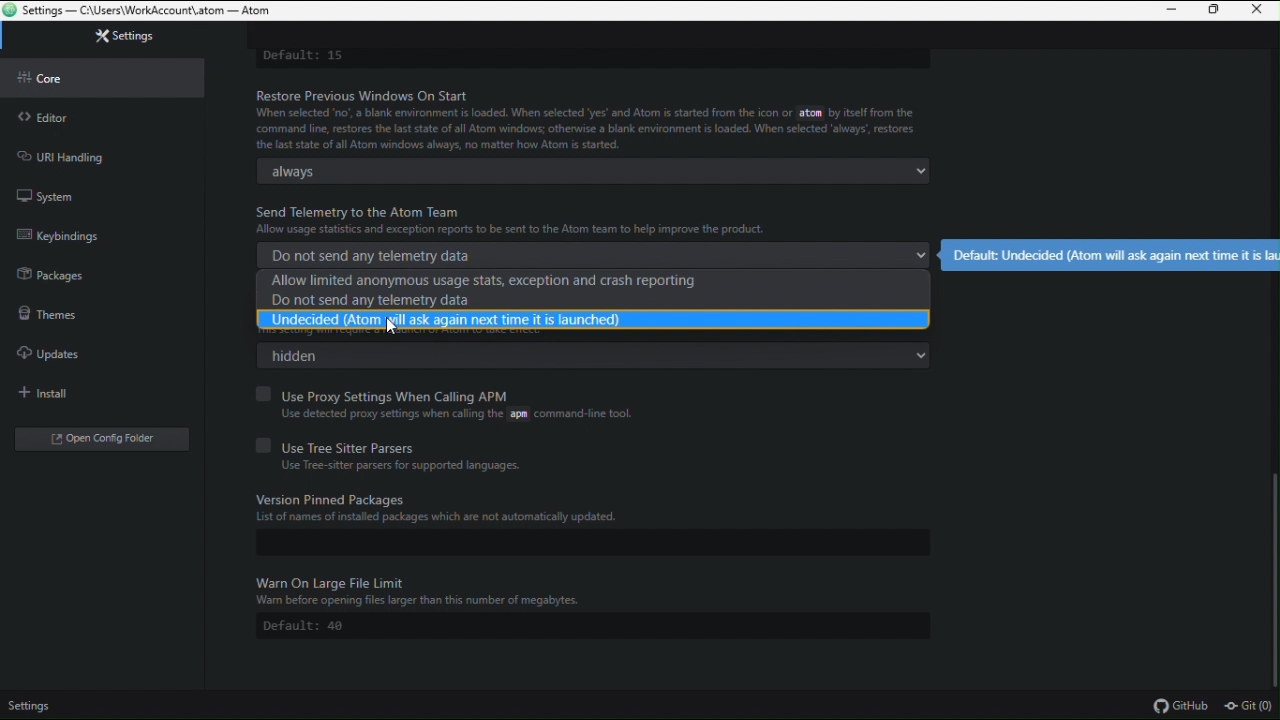  Describe the element at coordinates (101, 113) in the screenshot. I see `editor` at that location.